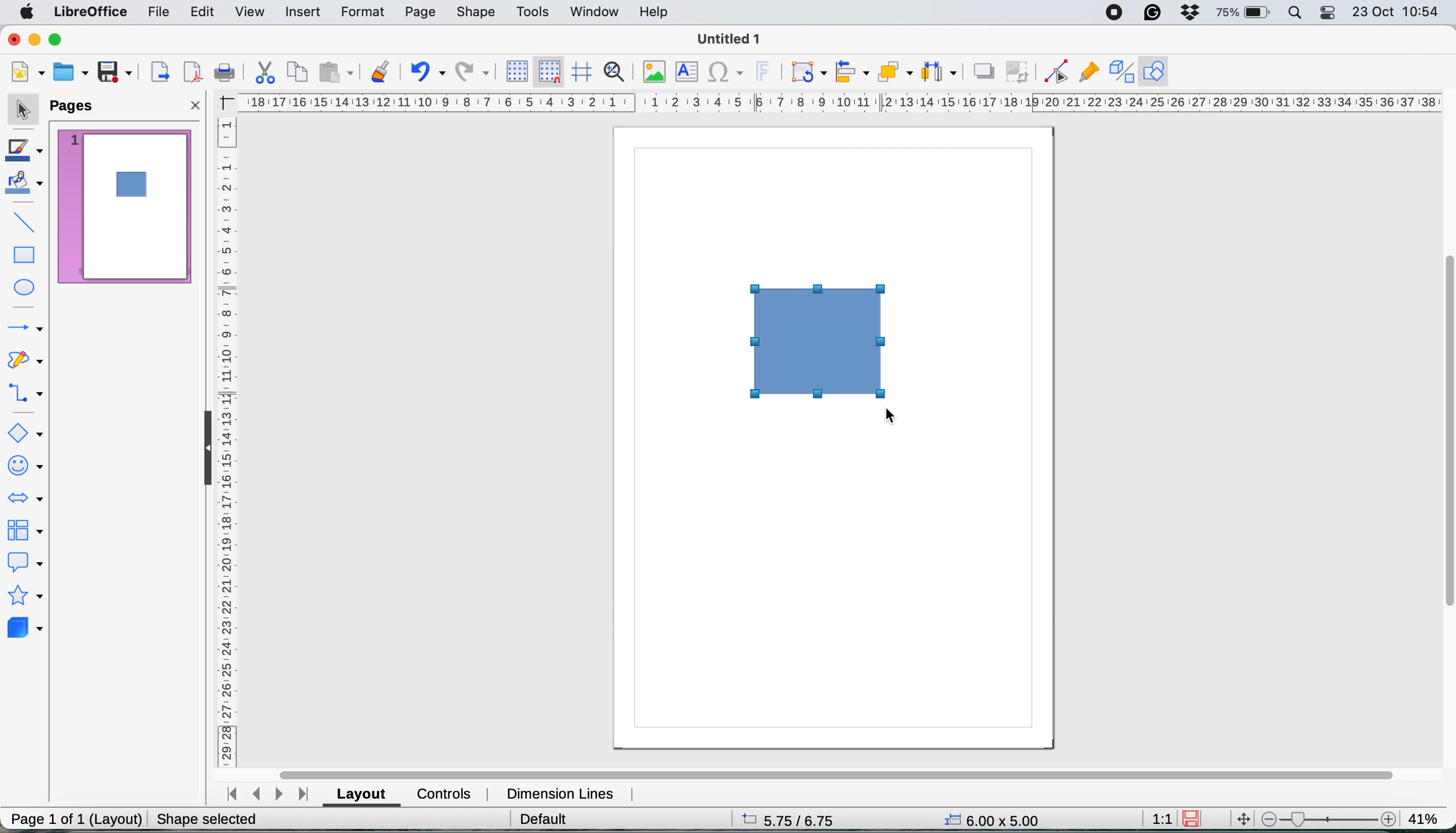  I want to click on cursor, so click(898, 418).